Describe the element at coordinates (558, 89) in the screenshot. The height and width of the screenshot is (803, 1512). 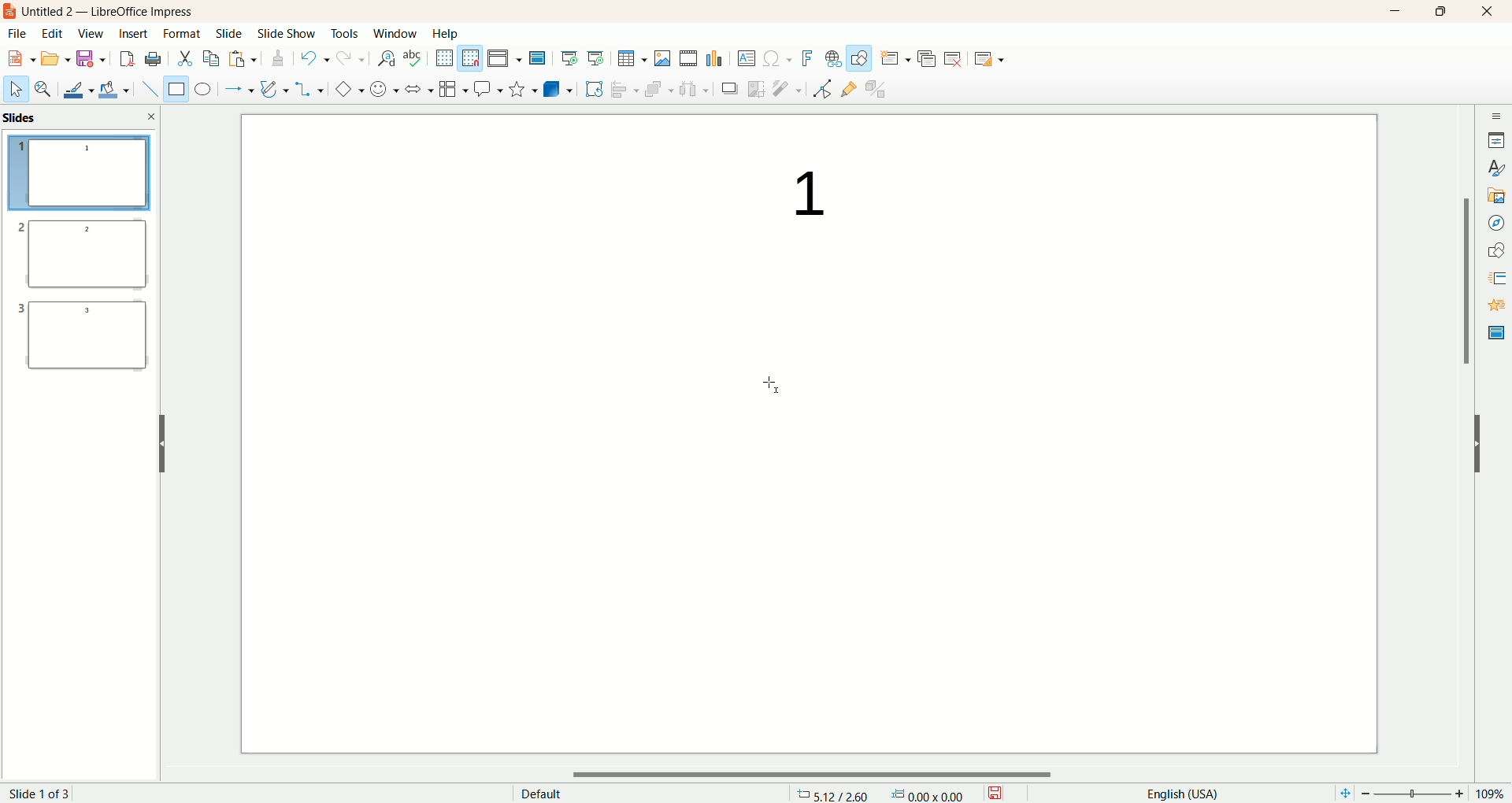
I see `3D objects` at that location.